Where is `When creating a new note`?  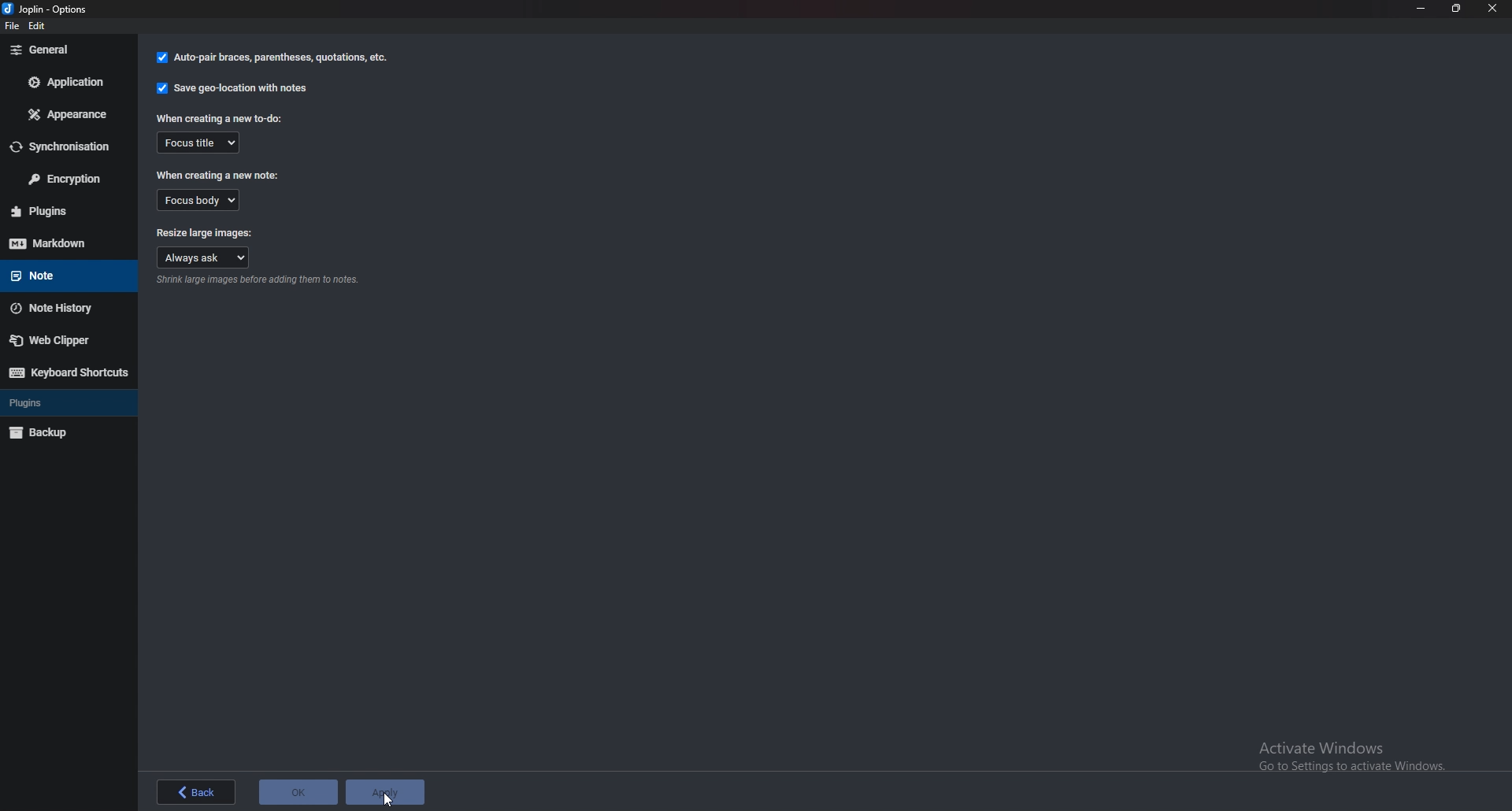
When creating a new note is located at coordinates (222, 175).